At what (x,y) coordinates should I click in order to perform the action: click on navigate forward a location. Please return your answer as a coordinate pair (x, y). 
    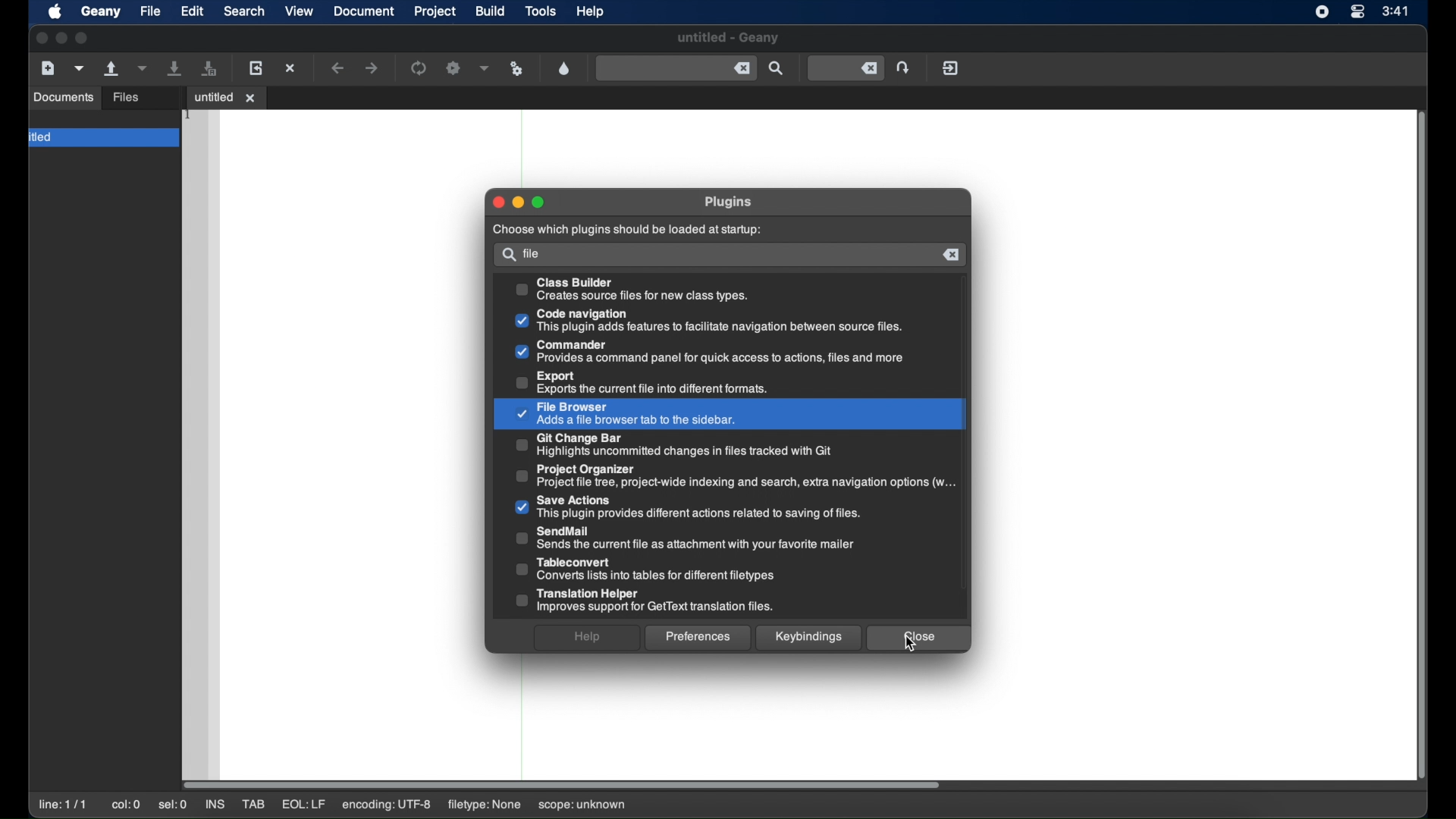
    Looking at the image, I should click on (372, 68).